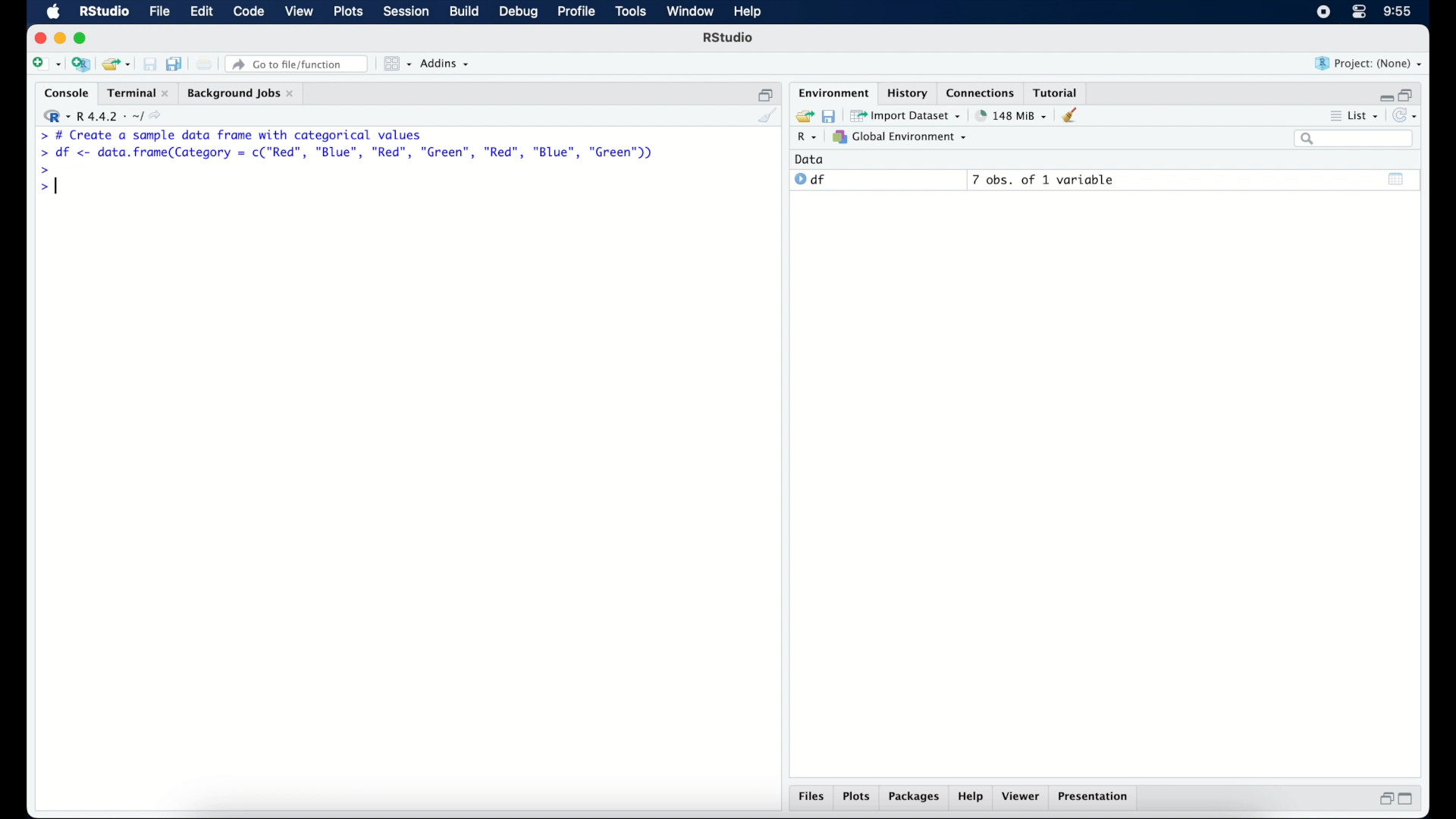  What do you see at coordinates (982, 92) in the screenshot?
I see `connections` at bounding box center [982, 92].